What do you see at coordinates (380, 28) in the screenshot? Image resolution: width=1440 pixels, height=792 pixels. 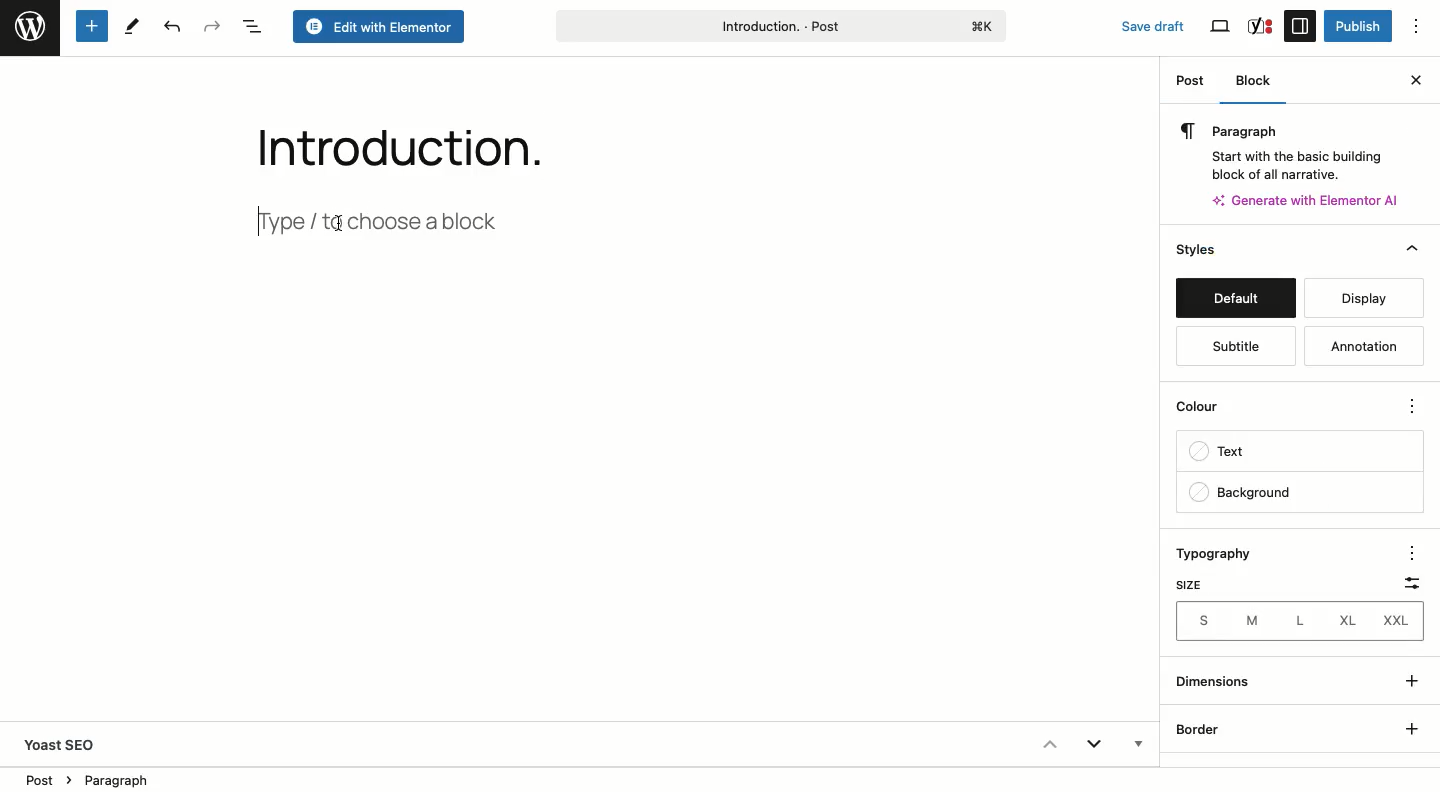 I see `Edit with Elementor` at bounding box center [380, 28].